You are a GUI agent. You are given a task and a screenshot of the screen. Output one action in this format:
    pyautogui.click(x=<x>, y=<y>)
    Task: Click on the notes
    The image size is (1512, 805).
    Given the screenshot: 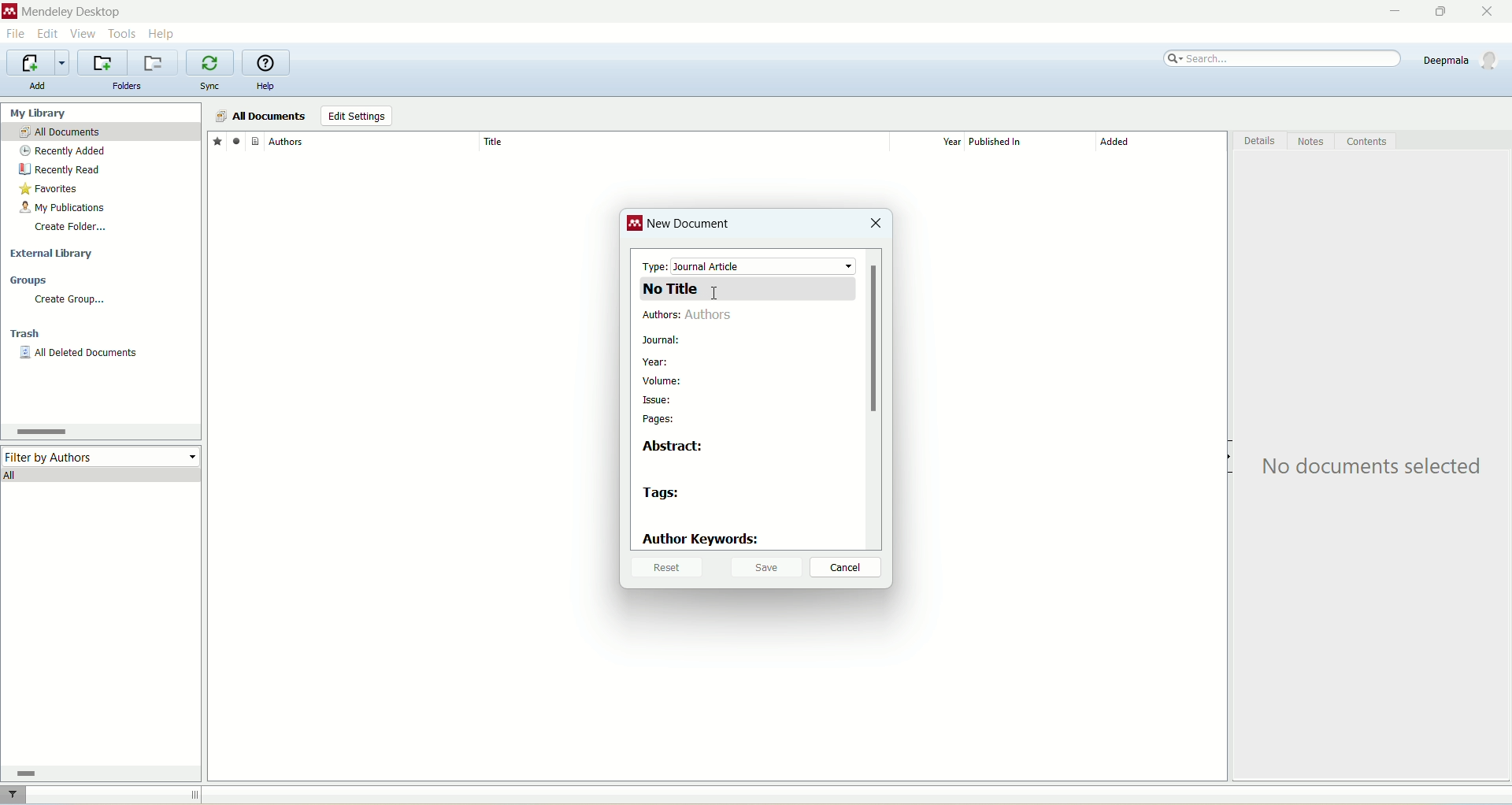 What is the action you would take?
    pyautogui.click(x=1313, y=142)
    